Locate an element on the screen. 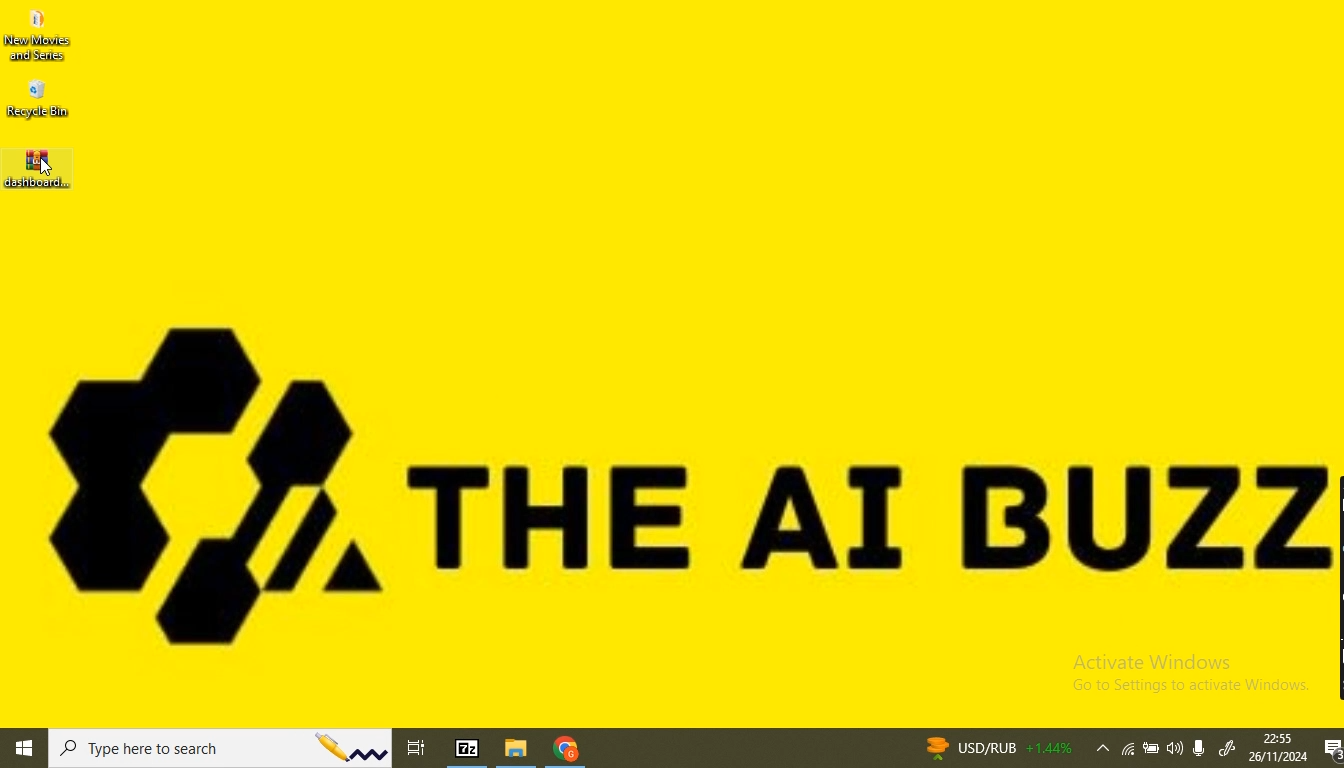 The image size is (1344, 768). Dashboard_user_panel_template(file) is located at coordinates (37, 165).